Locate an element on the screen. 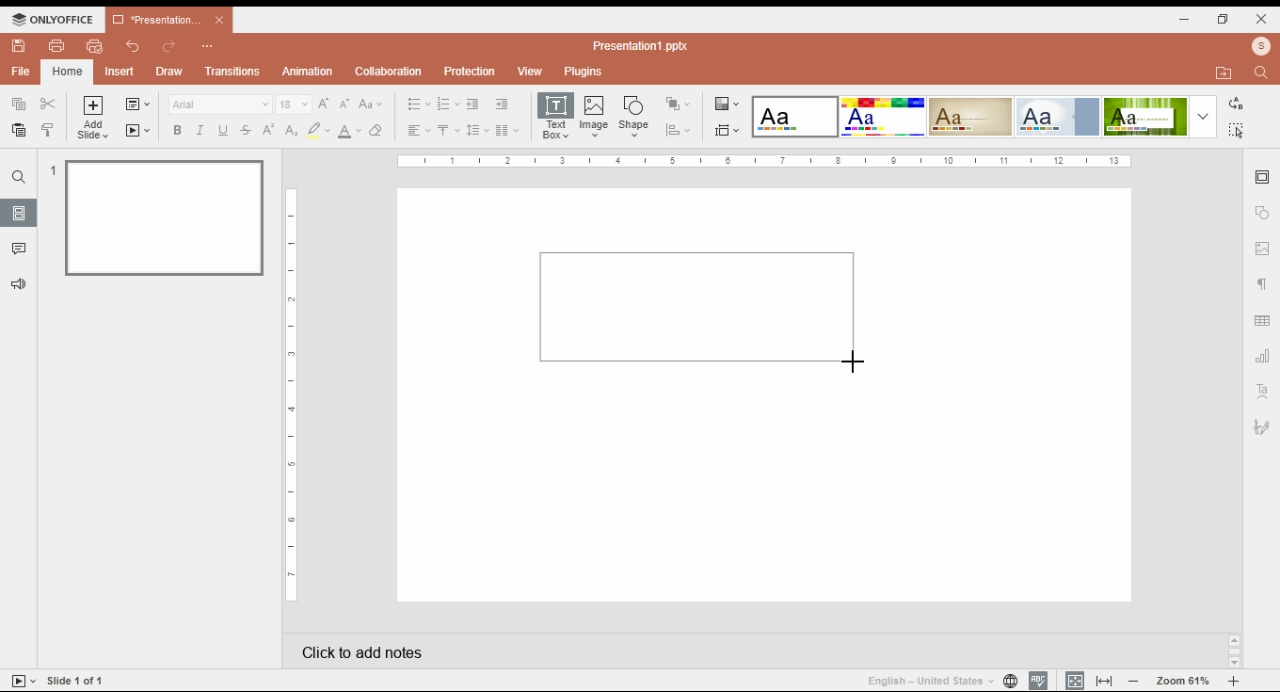 The image size is (1280, 692). bullets is located at coordinates (418, 103).